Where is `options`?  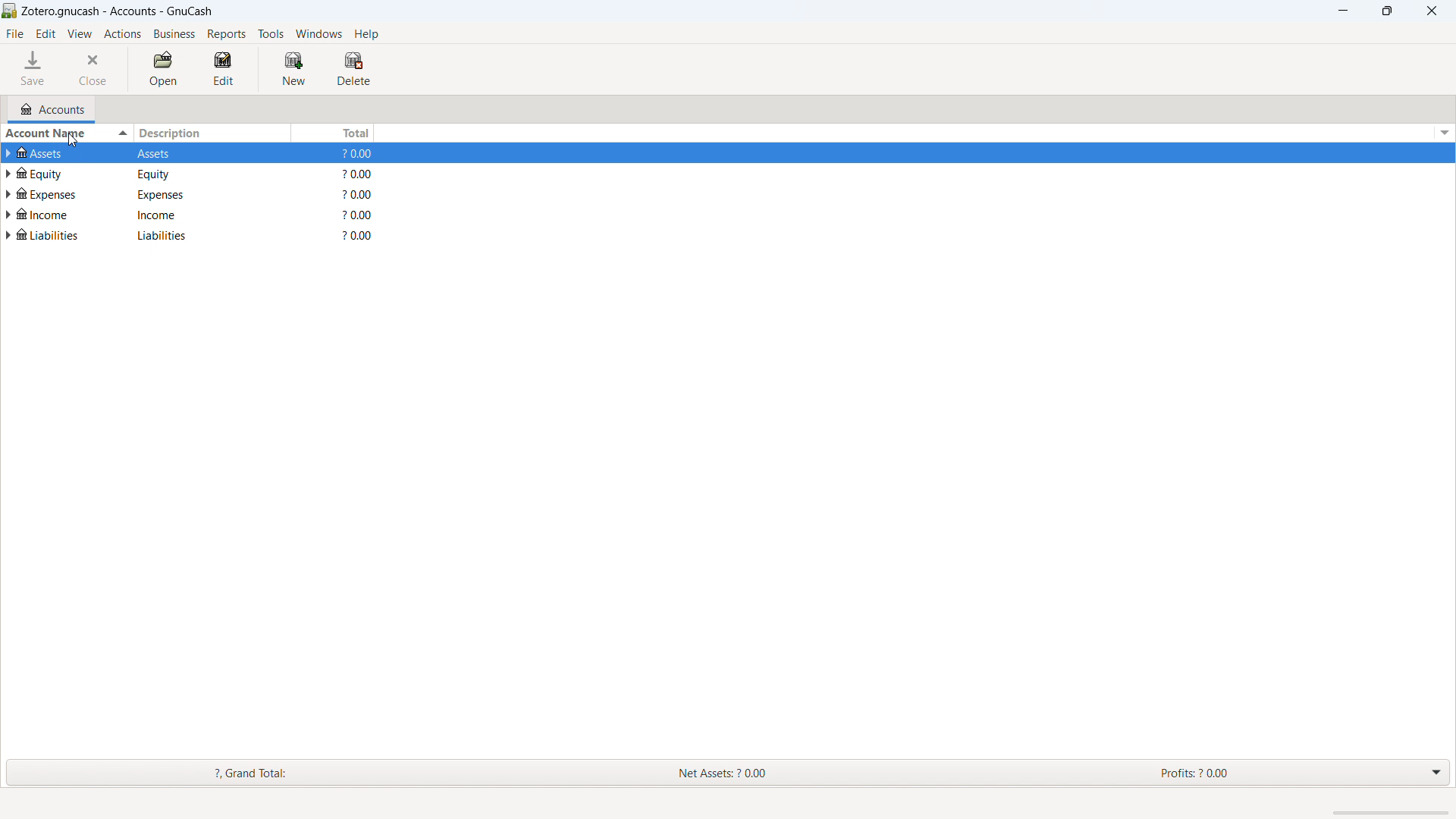 options is located at coordinates (1443, 133).